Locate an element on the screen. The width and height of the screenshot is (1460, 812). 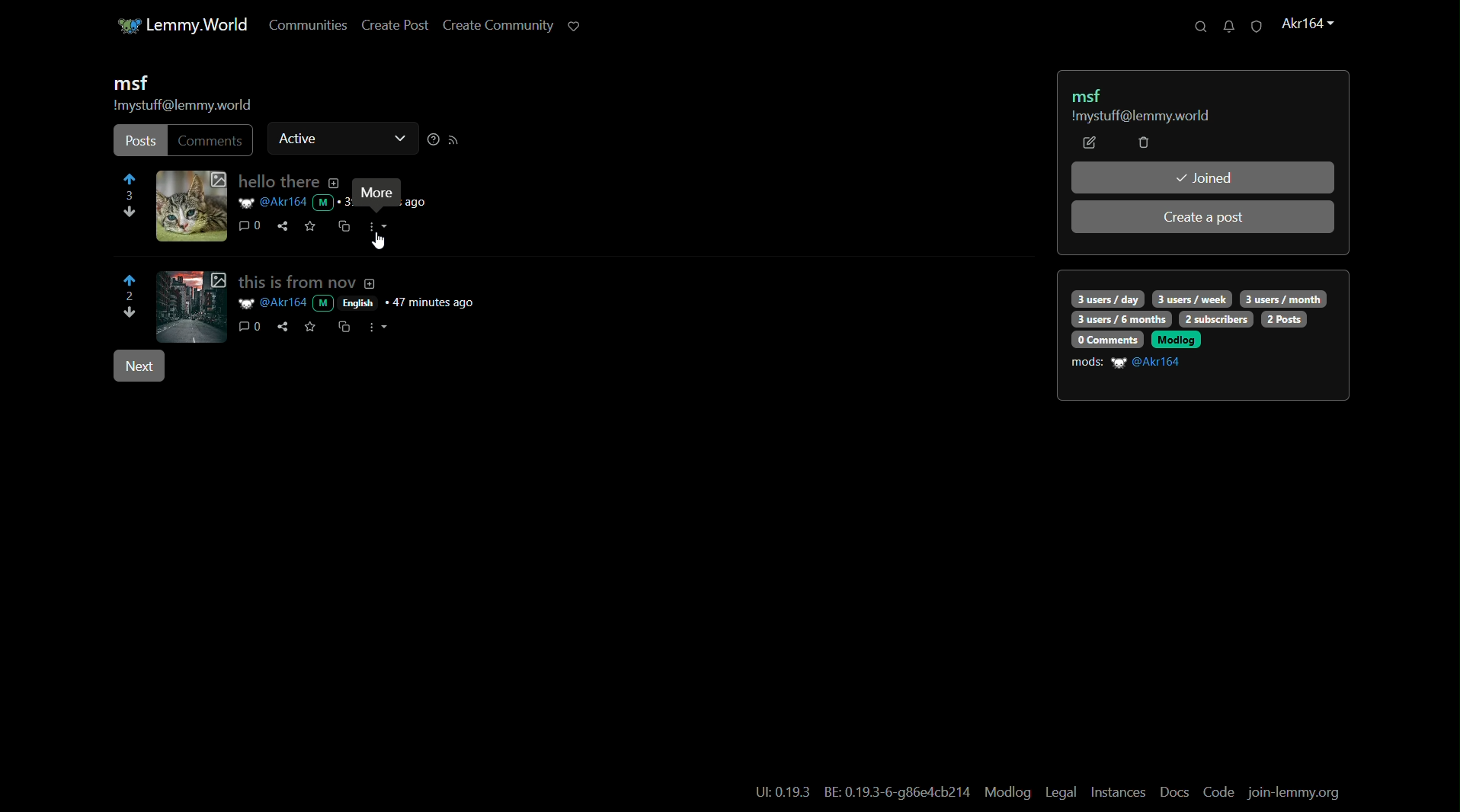
edit is located at coordinates (1090, 143).